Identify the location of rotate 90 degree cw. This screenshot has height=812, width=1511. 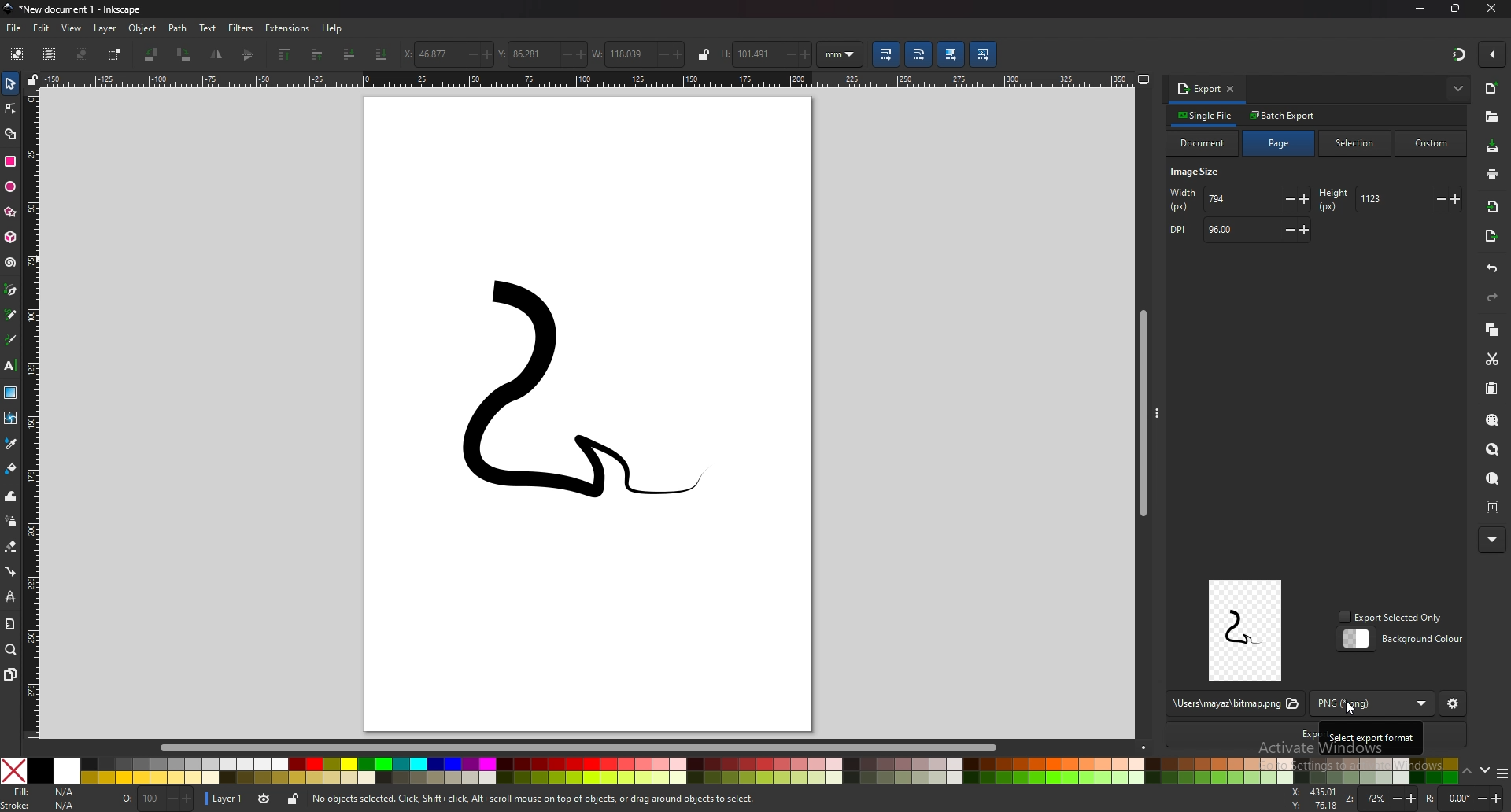
(185, 54).